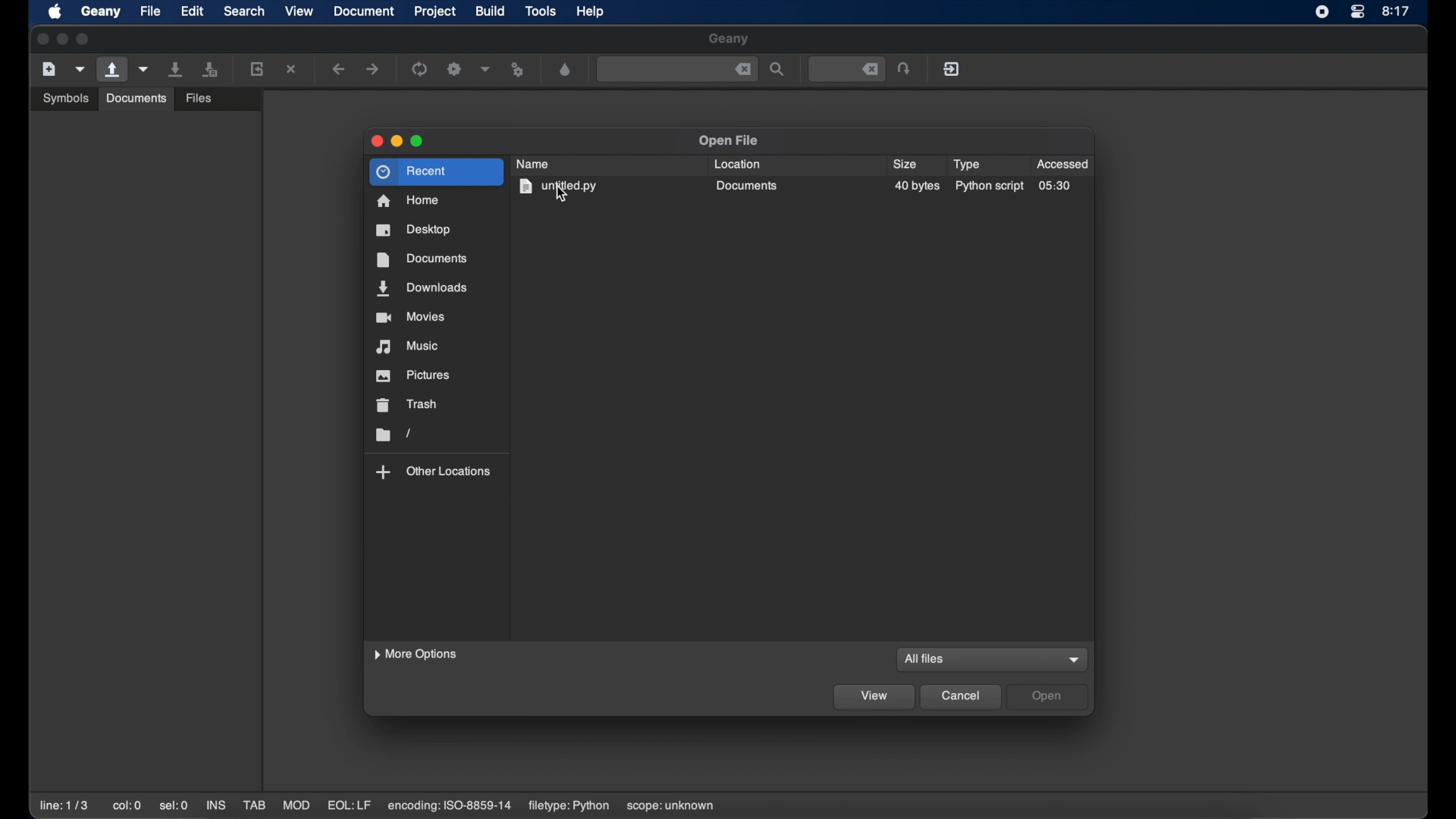  Describe the element at coordinates (256, 68) in the screenshot. I see `reload the current file from disk` at that location.